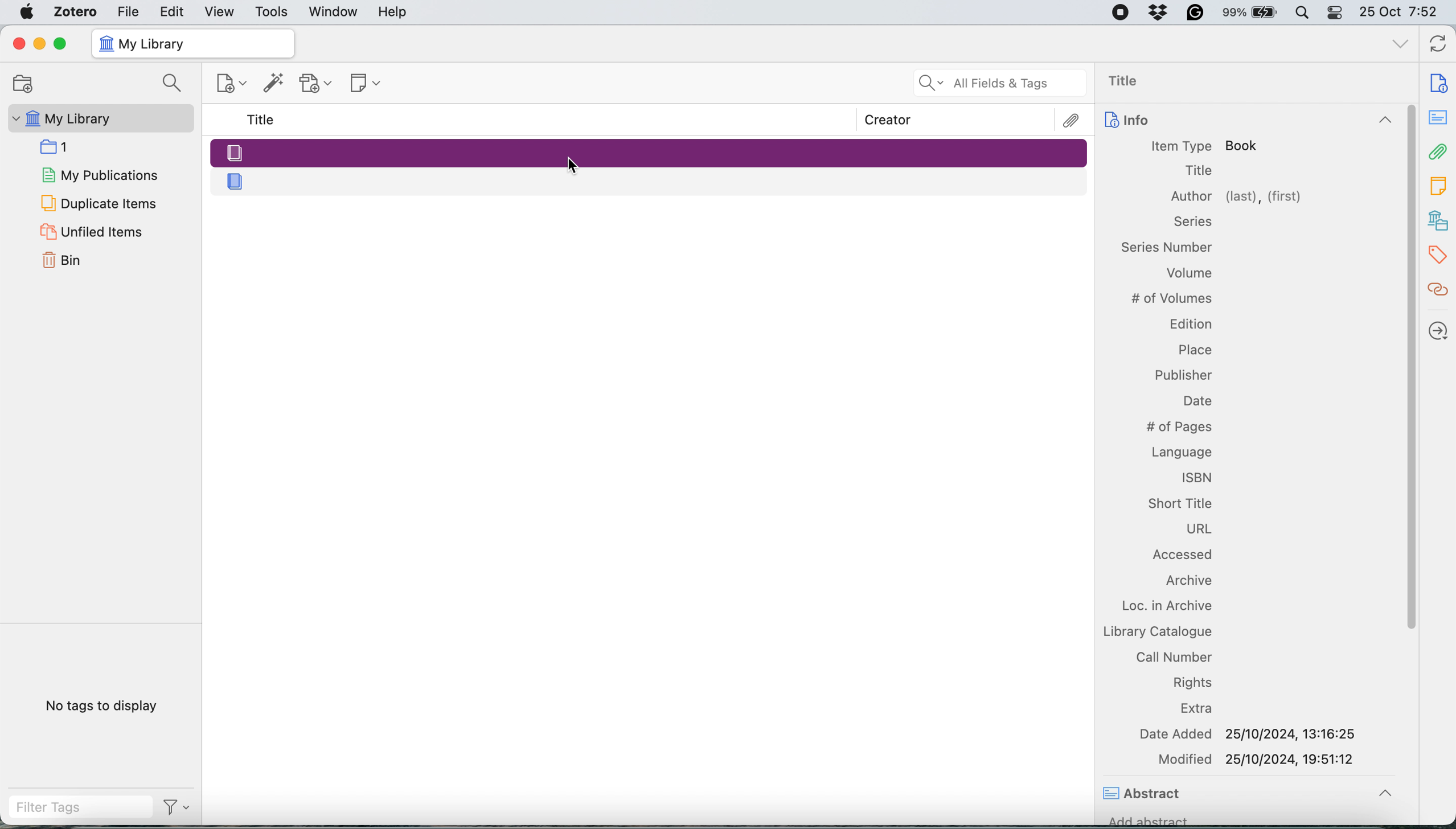 This screenshot has width=1456, height=829. Describe the element at coordinates (1401, 46) in the screenshot. I see `list all tabs` at that location.